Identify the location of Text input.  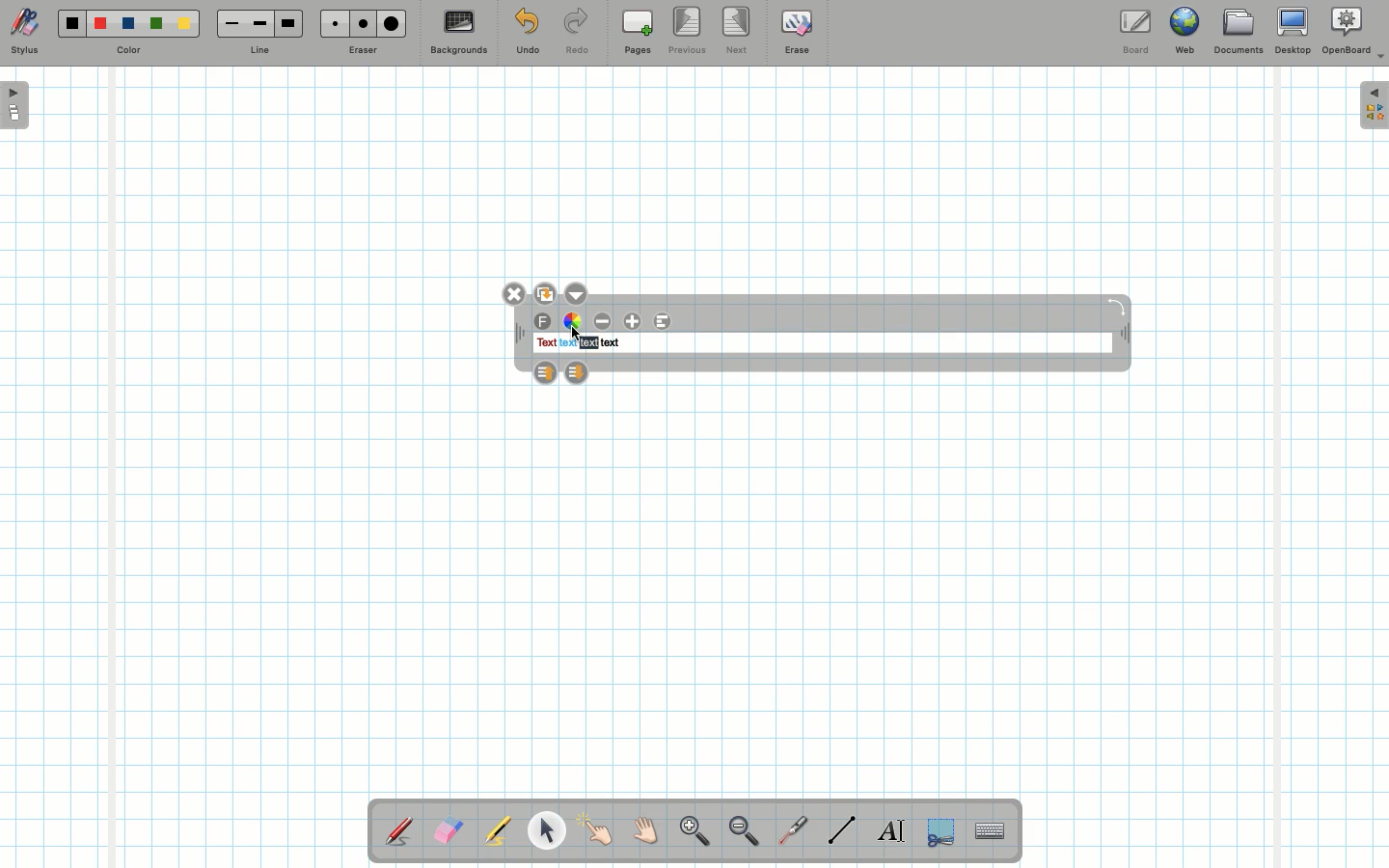
(991, 826).